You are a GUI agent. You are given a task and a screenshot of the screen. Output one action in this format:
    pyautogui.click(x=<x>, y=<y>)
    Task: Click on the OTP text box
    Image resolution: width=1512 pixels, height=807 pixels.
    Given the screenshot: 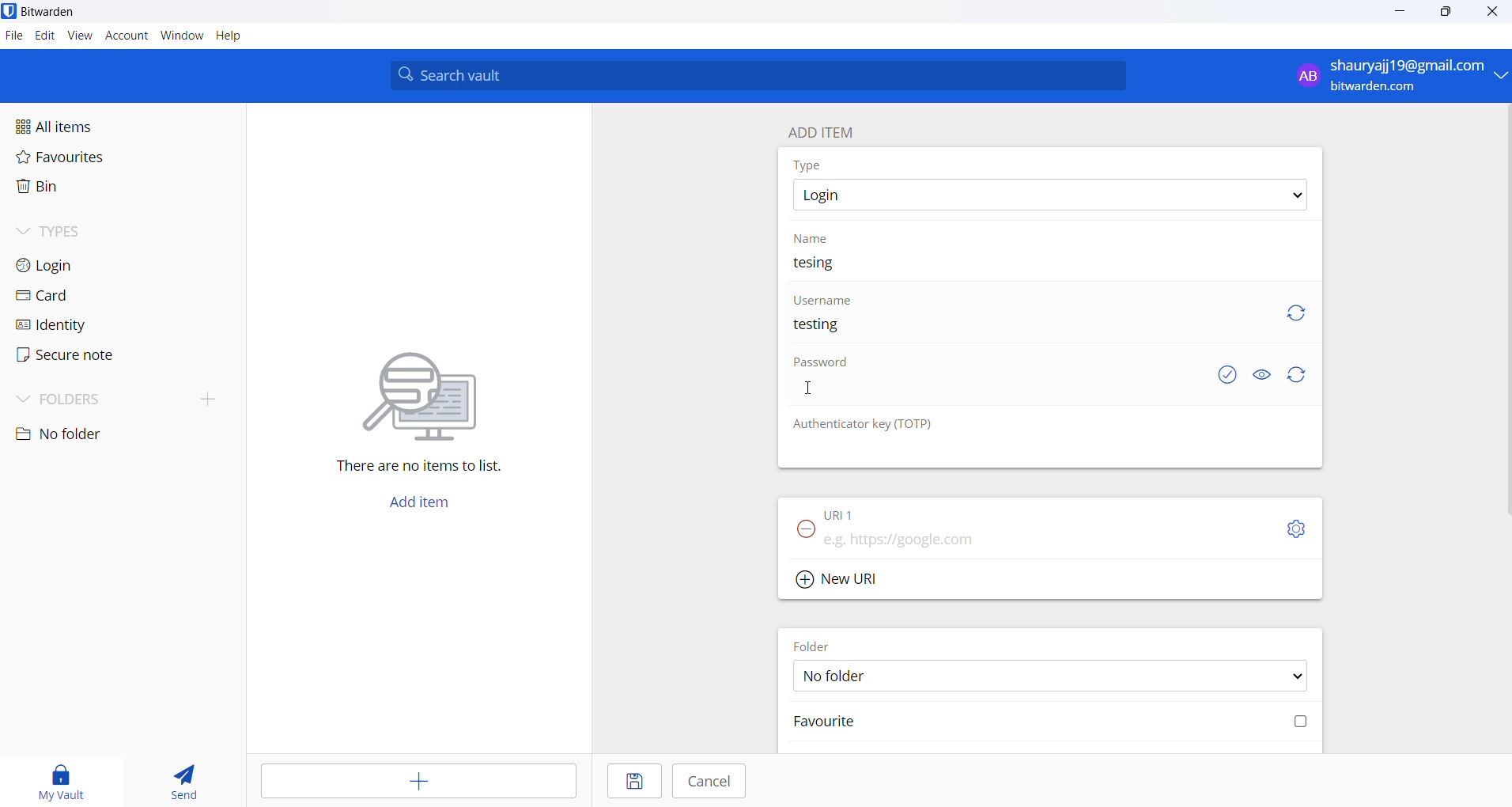 What is the action you would take?
    pyautogui.click(x=1034, y=452)
    